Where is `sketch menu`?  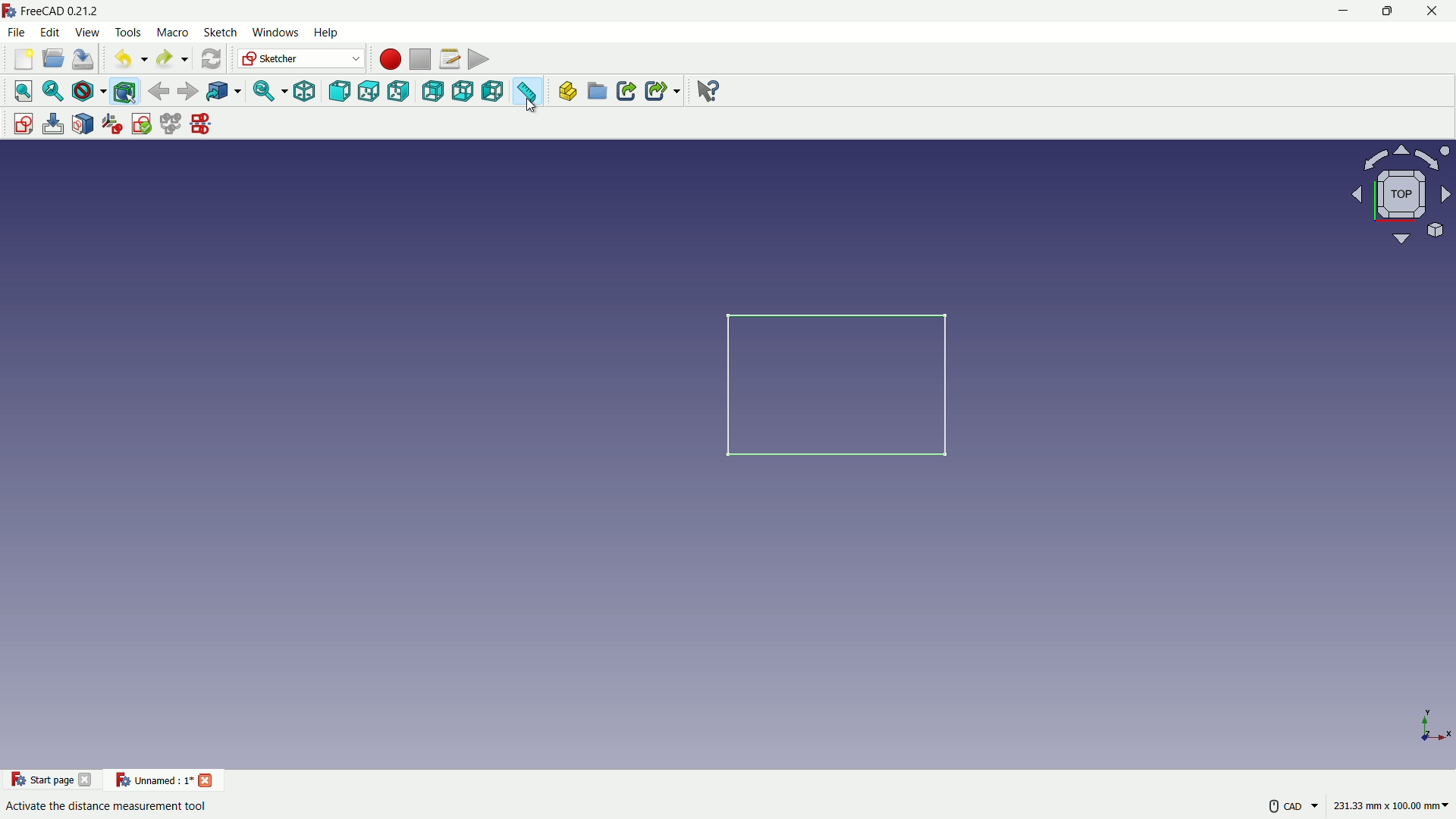 sketch menu is located at coordinates (220, 33).